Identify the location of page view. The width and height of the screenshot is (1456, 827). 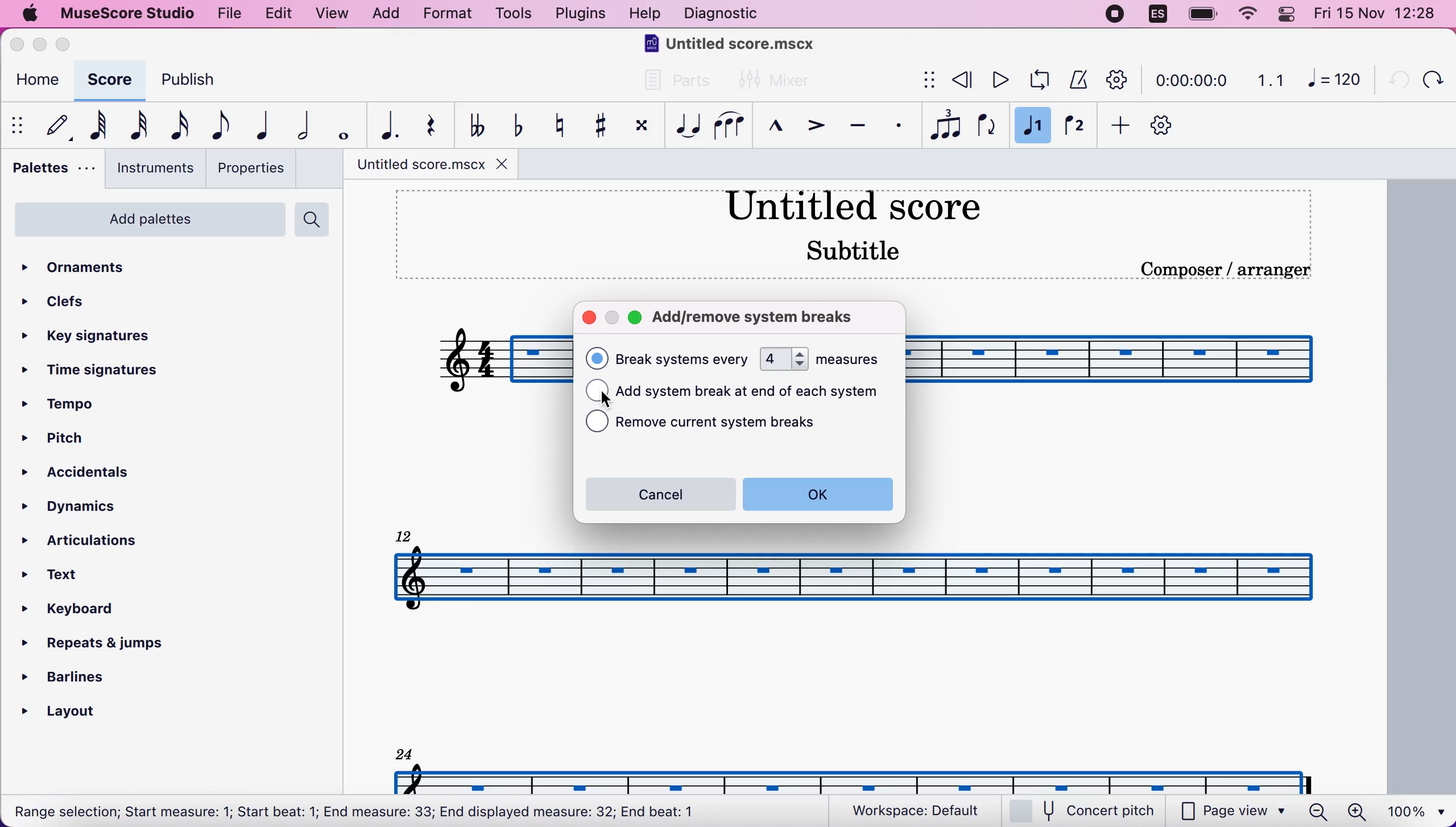
(1233, 812).